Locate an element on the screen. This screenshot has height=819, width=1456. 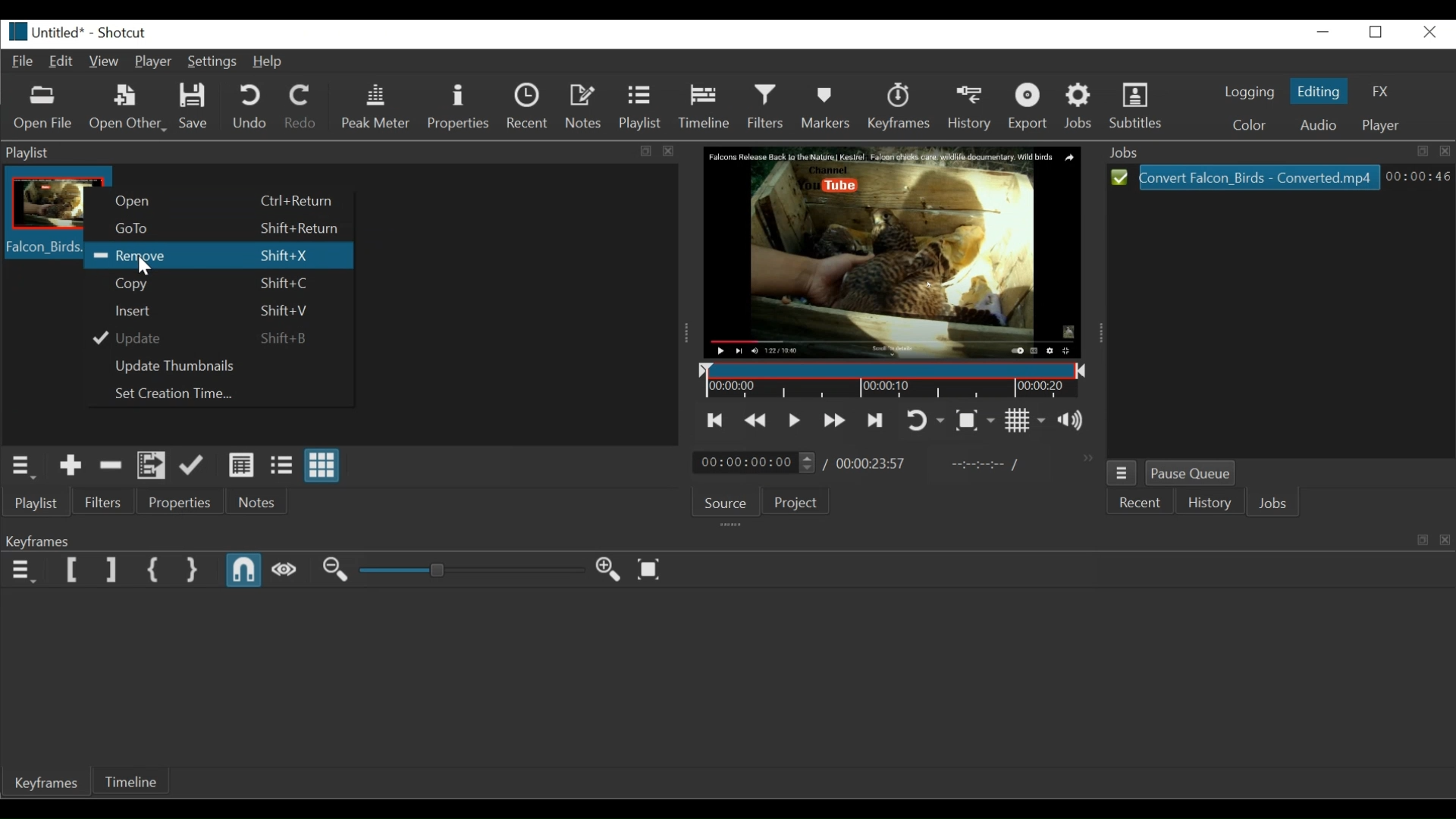
Update thumbnails is located at coordinates (215, 365).